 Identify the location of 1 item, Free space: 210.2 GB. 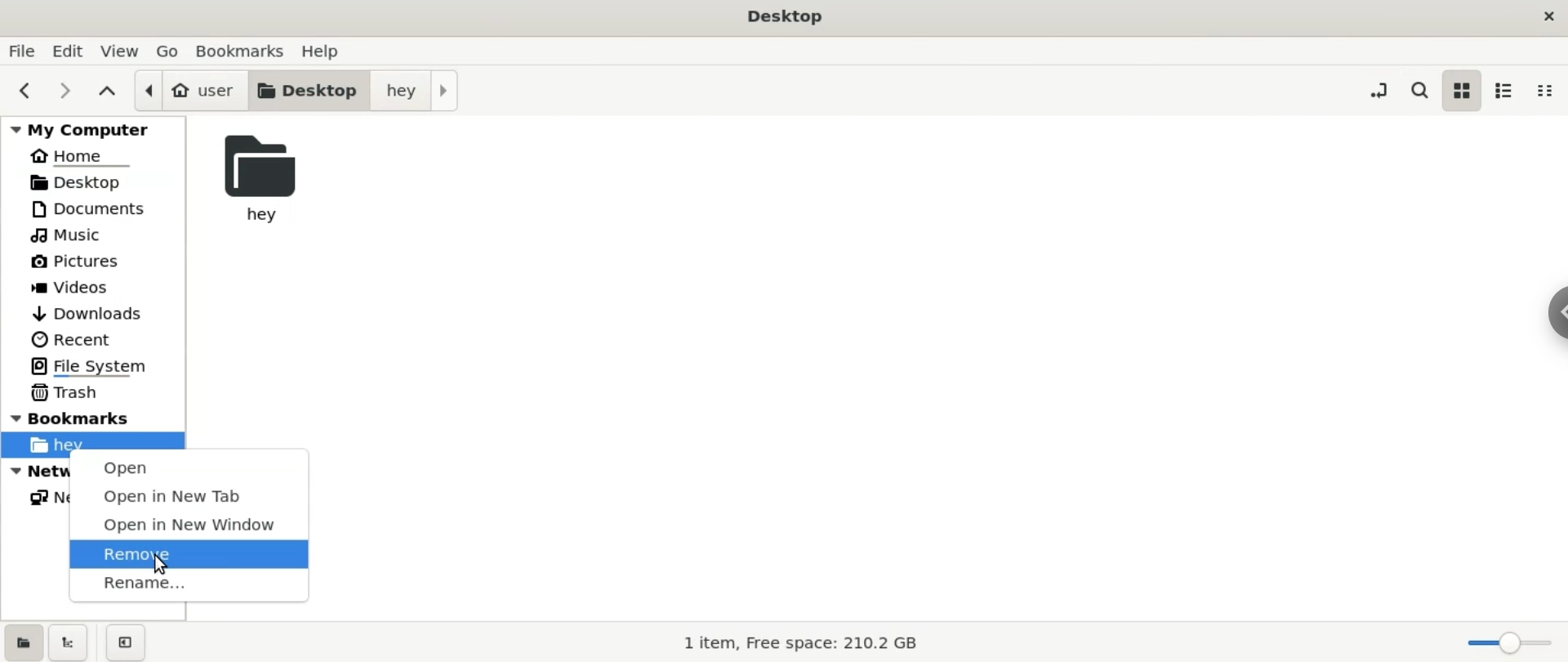
(802, 642).